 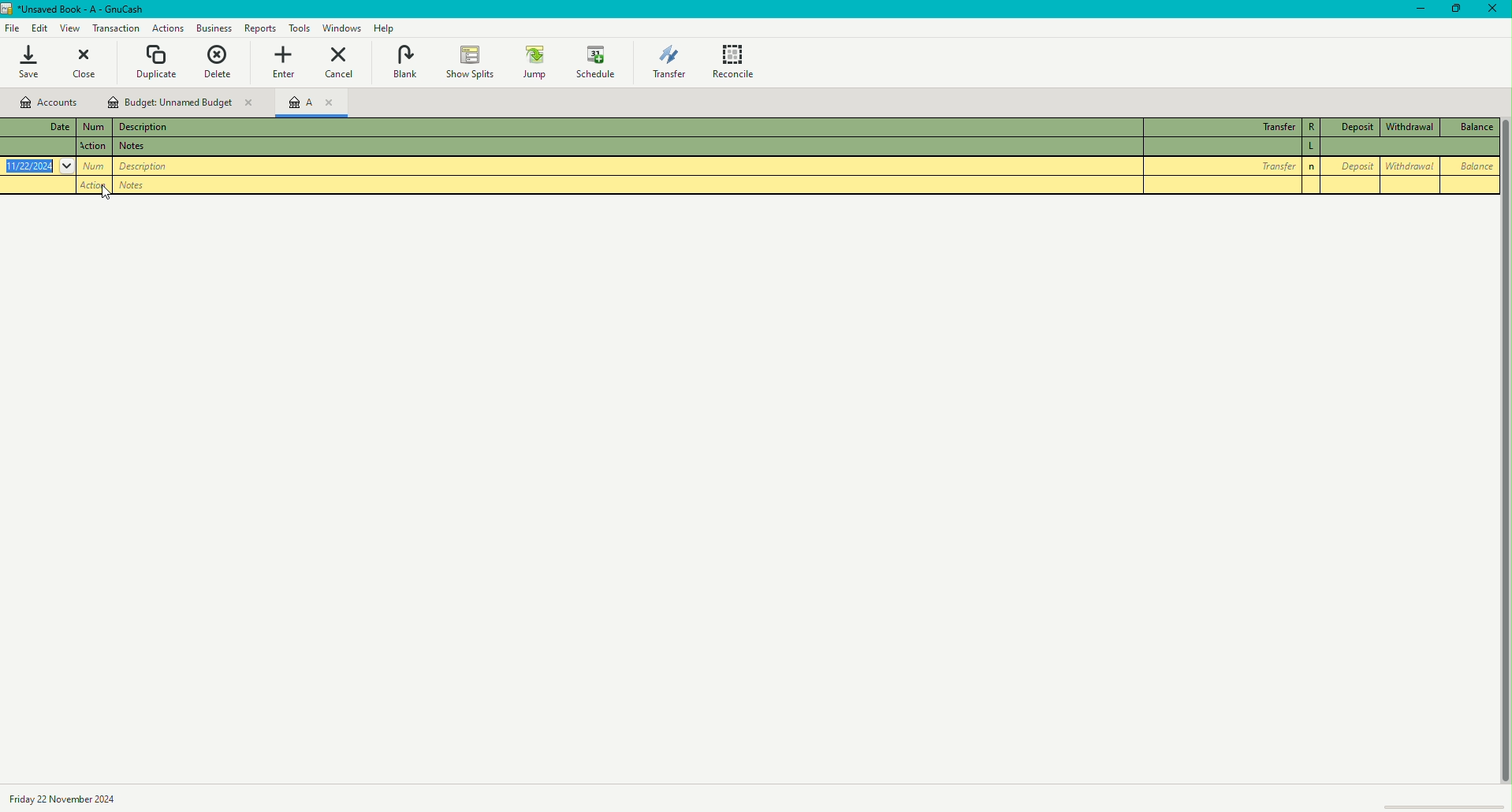 I want to click on Transfer, so click(x=1223, y=166).